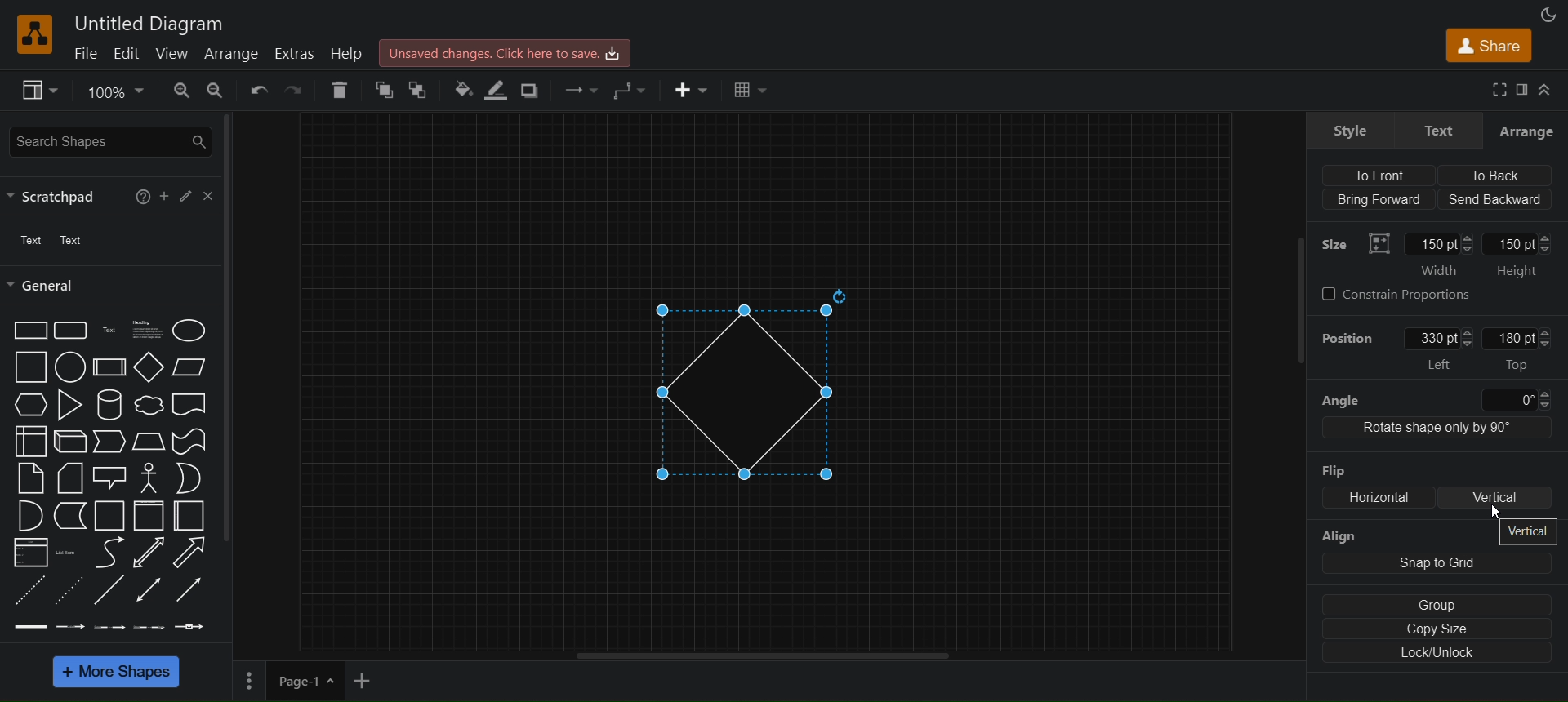 This screenshot has height=702, width=1568. Describe the element at coordinates (229, 327) in the screenshot. I see `vertical scroll bar` at that location.